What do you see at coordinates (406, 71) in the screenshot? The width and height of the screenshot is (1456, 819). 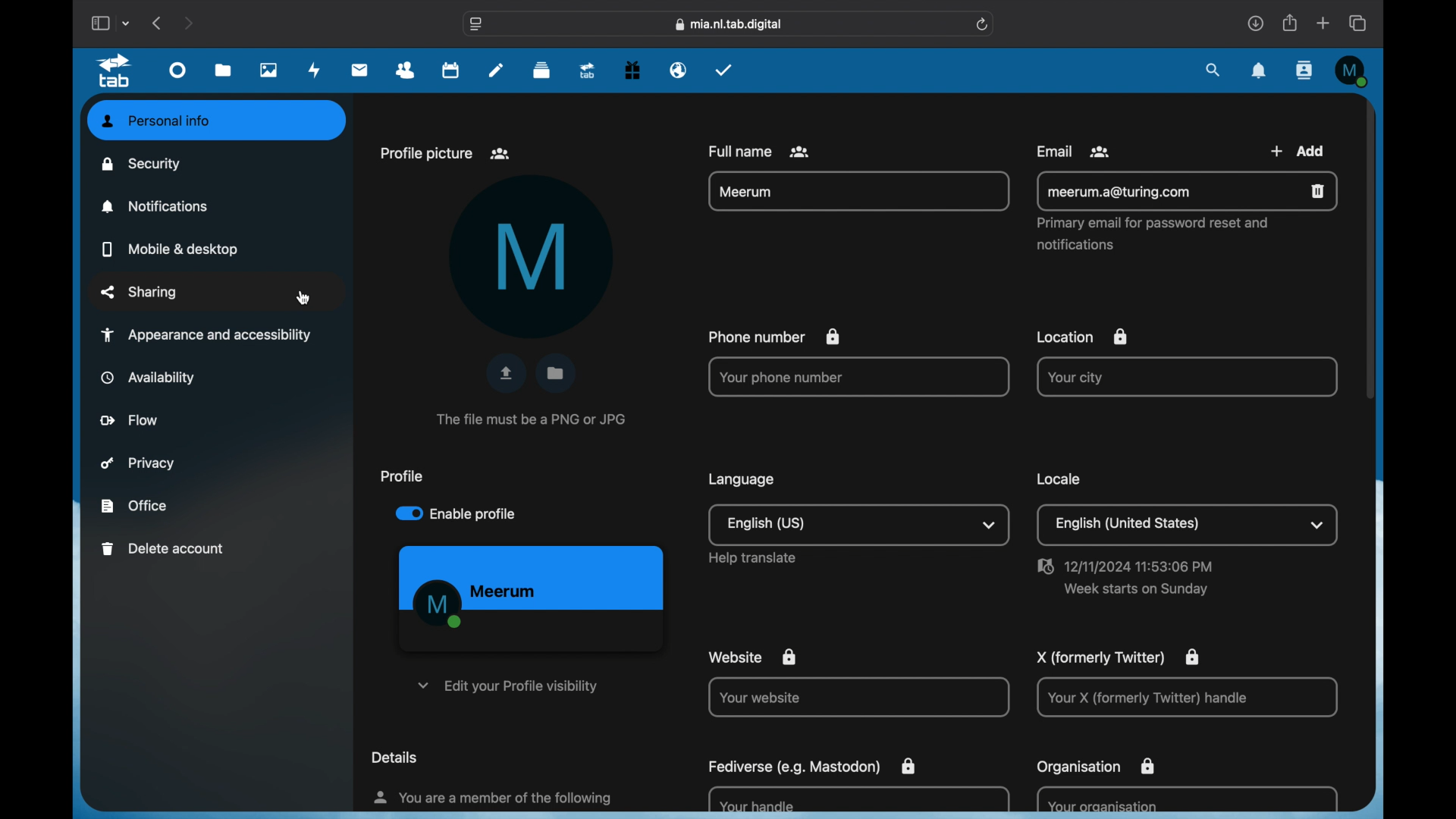 I see `contacts` at bounding box center [406, 71].